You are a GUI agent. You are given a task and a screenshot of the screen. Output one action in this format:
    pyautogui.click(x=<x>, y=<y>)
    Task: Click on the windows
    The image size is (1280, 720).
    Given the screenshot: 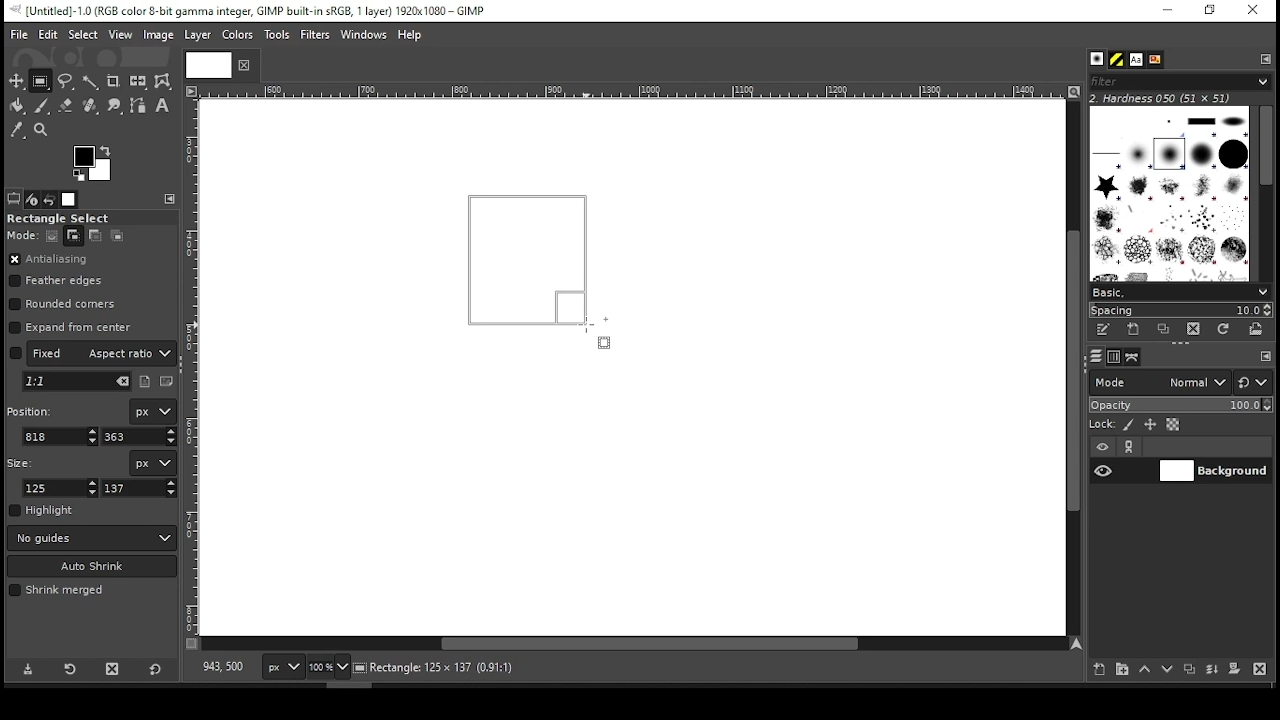 What is the action you would take?
    pyautogui.click(x=365, y=36)
    